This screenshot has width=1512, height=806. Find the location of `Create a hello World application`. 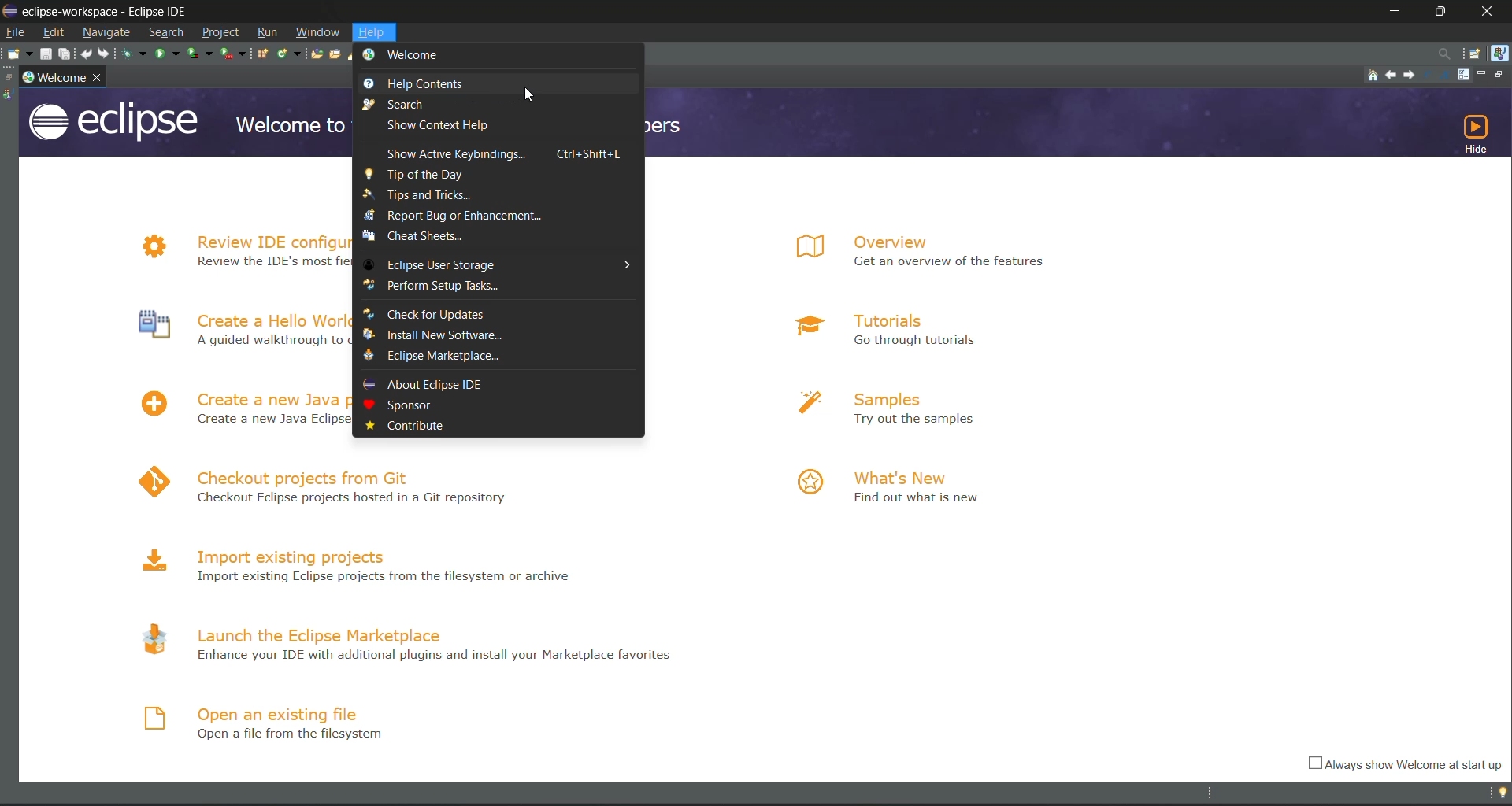

Create a hello World application is located at coordinates (272, 318).